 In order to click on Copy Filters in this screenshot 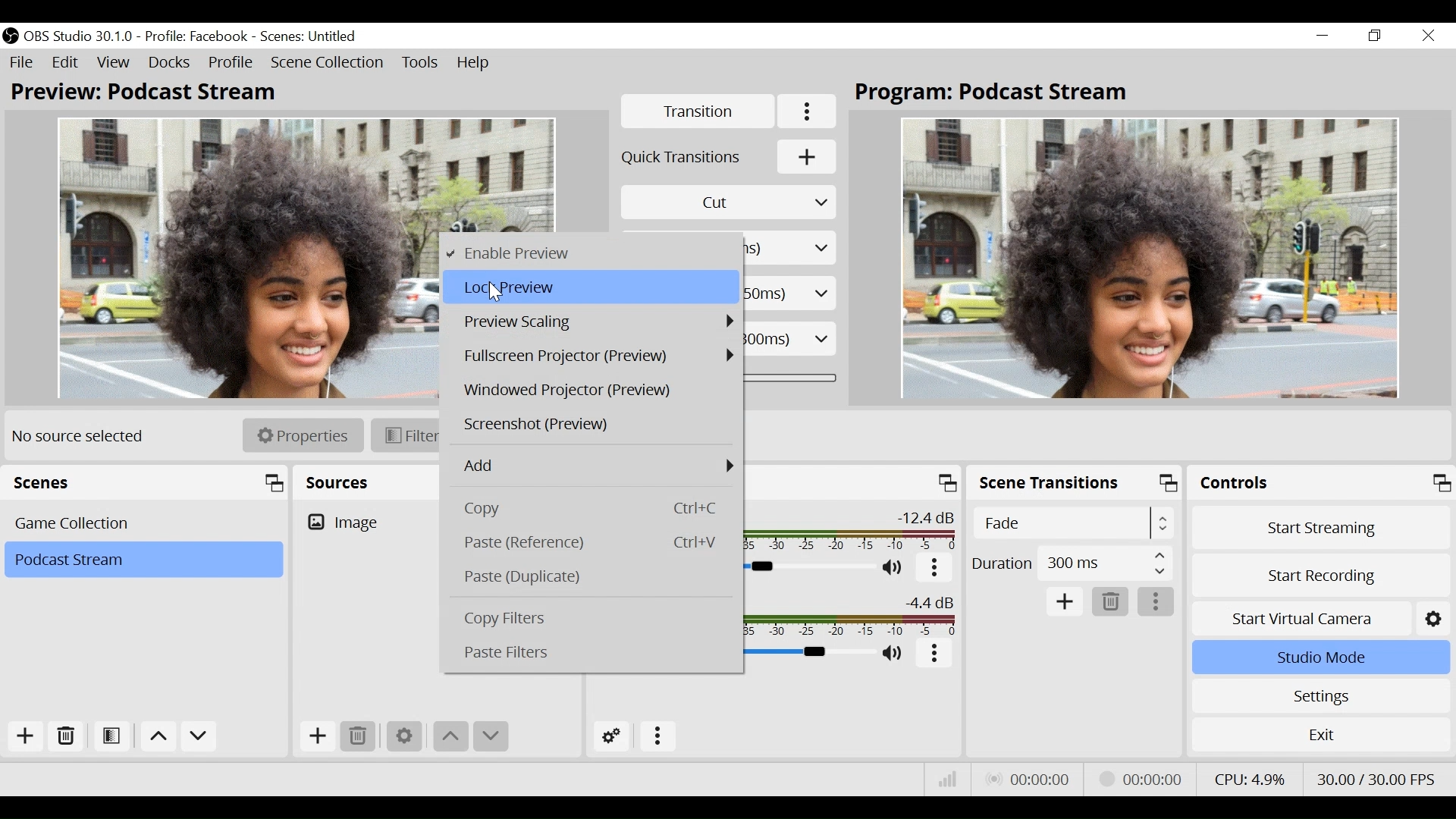, I will do `click(598, 619)`.